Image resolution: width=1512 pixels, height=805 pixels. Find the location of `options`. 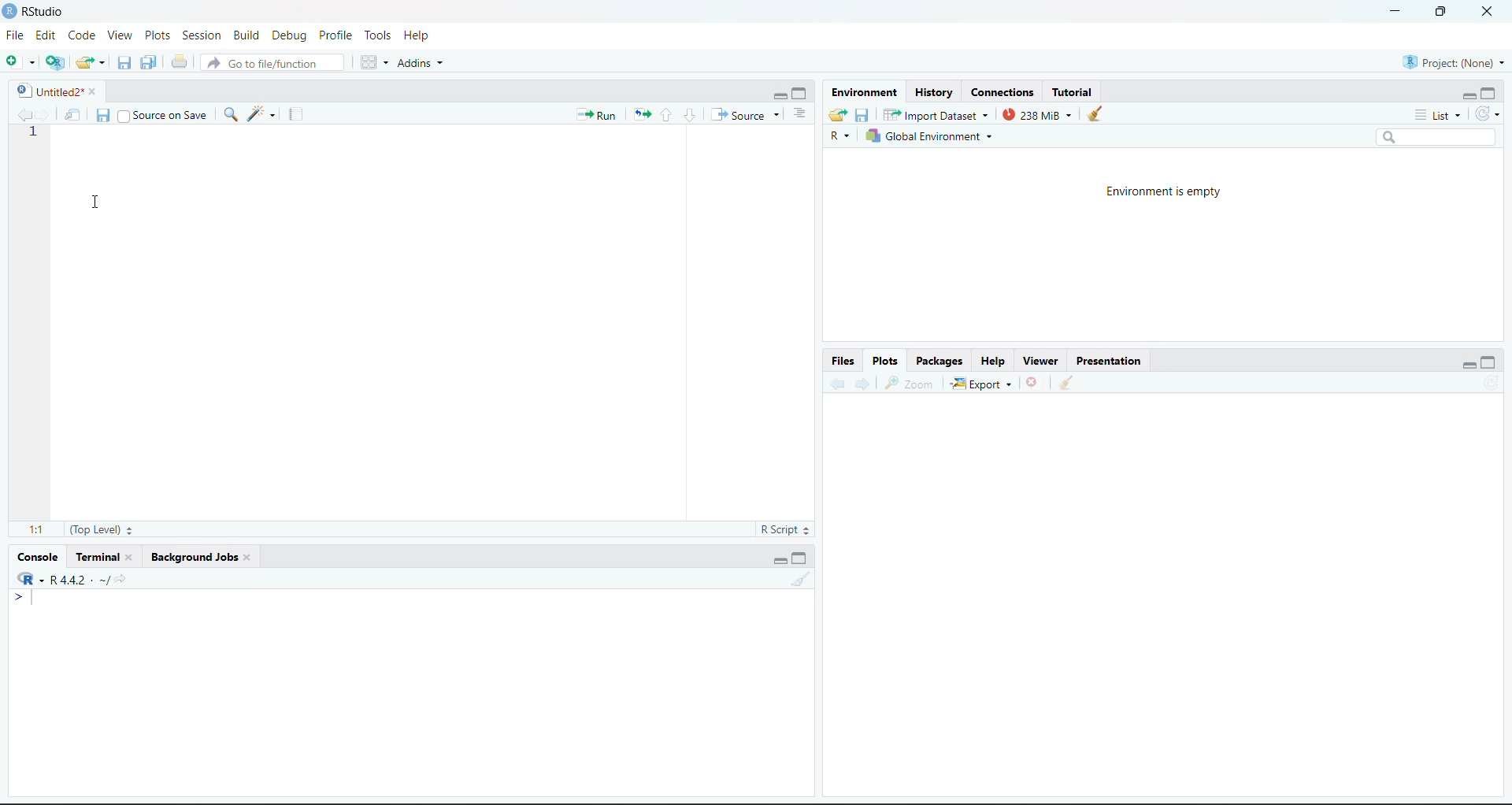

options is located at coordinates (375, 62).